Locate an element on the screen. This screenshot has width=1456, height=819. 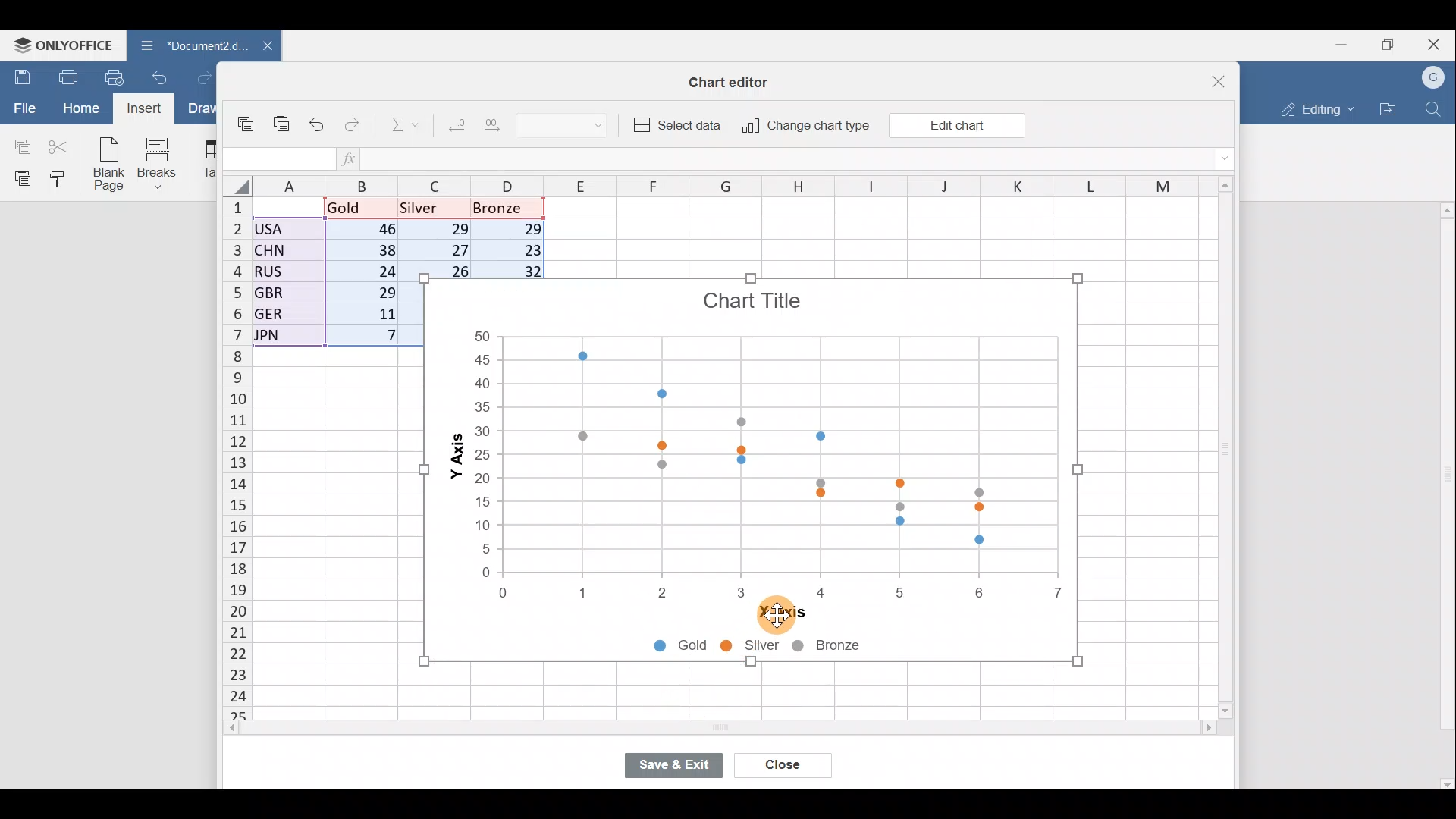
Home is located at coordinates (77, 110).